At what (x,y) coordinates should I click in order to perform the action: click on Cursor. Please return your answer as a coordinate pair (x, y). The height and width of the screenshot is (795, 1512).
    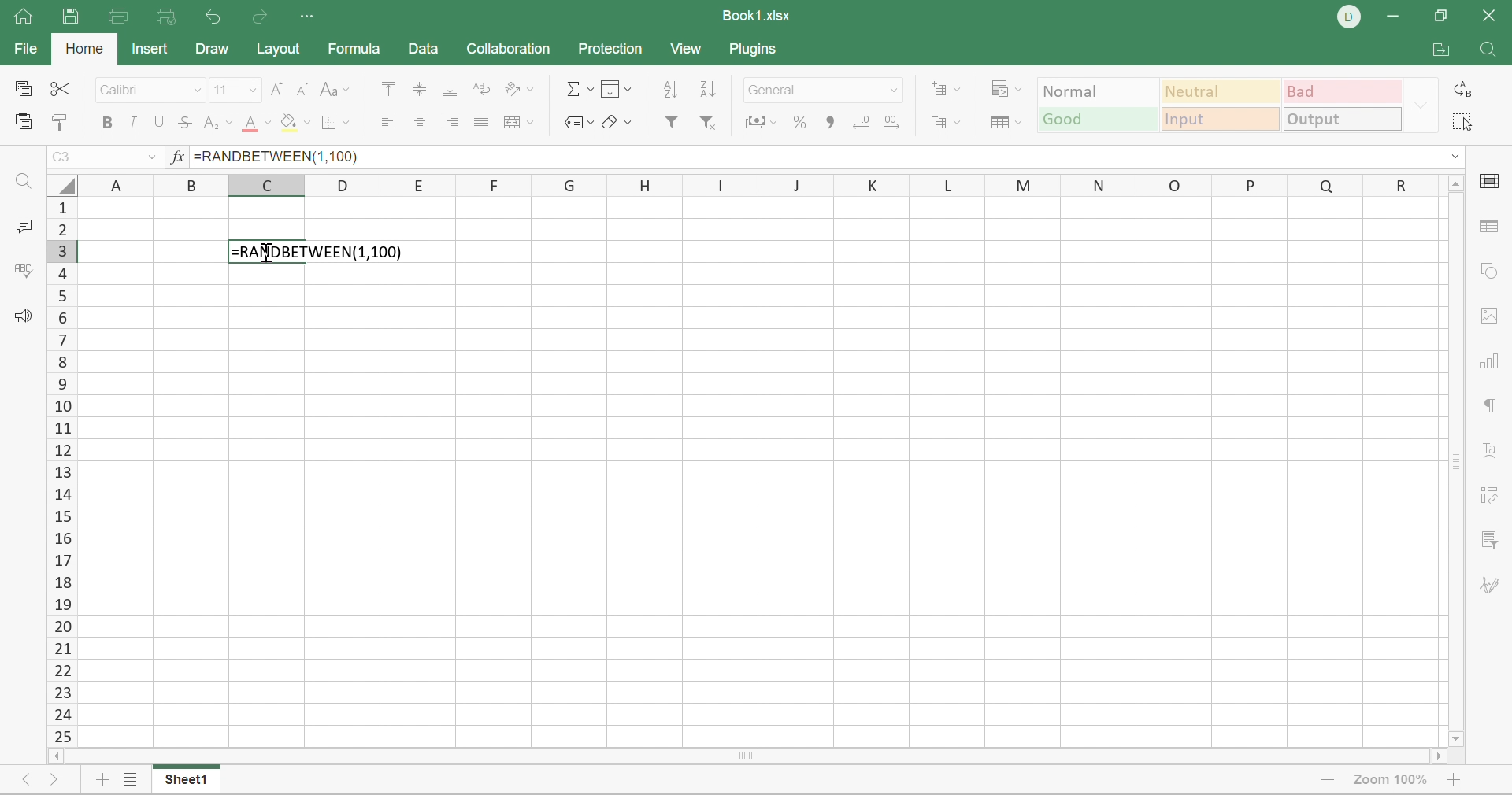
    Looking at the image, I should click on (261, 257).